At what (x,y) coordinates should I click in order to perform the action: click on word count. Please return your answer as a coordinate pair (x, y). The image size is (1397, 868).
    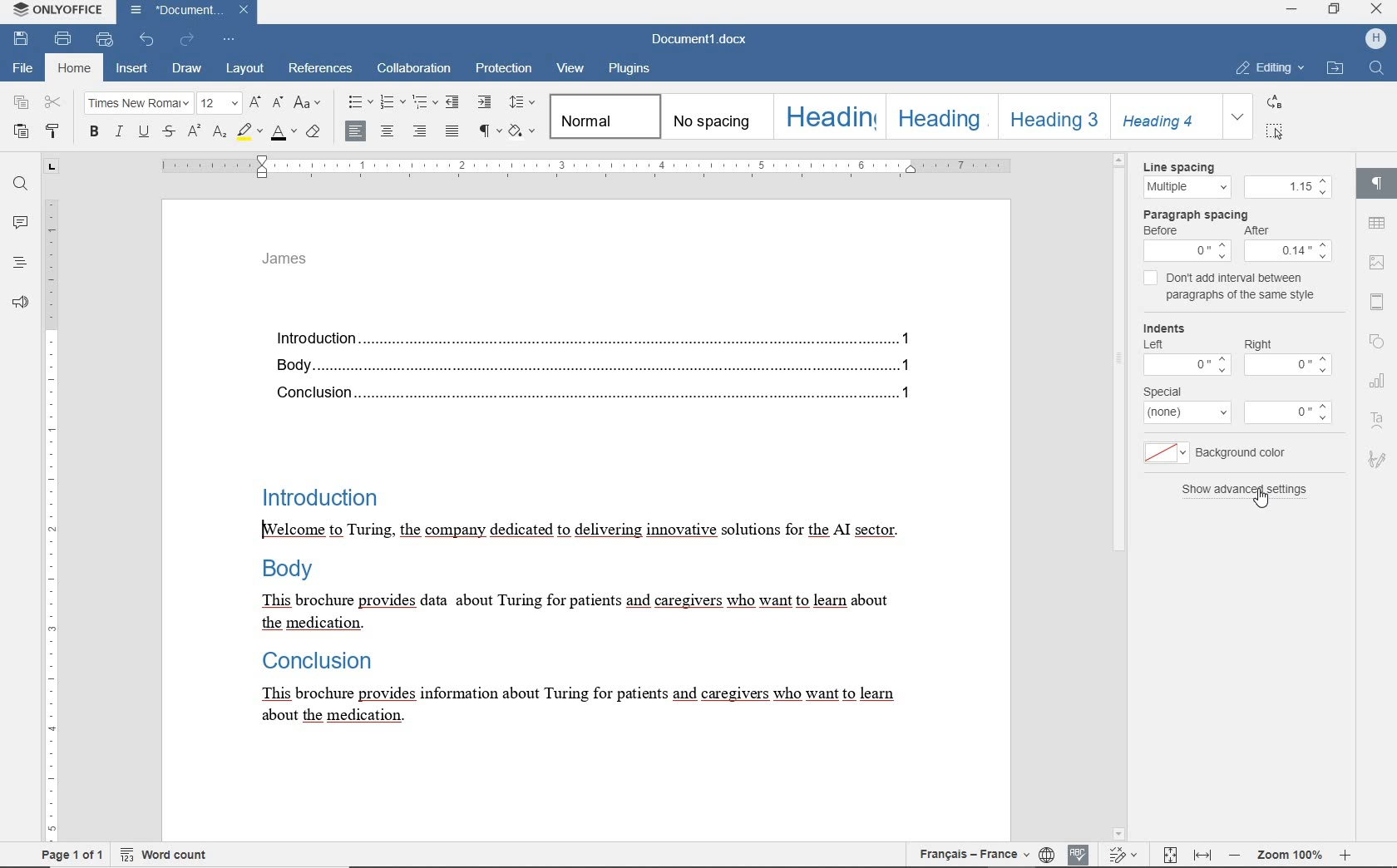
    Looking at the image, I should click on (175, 856).